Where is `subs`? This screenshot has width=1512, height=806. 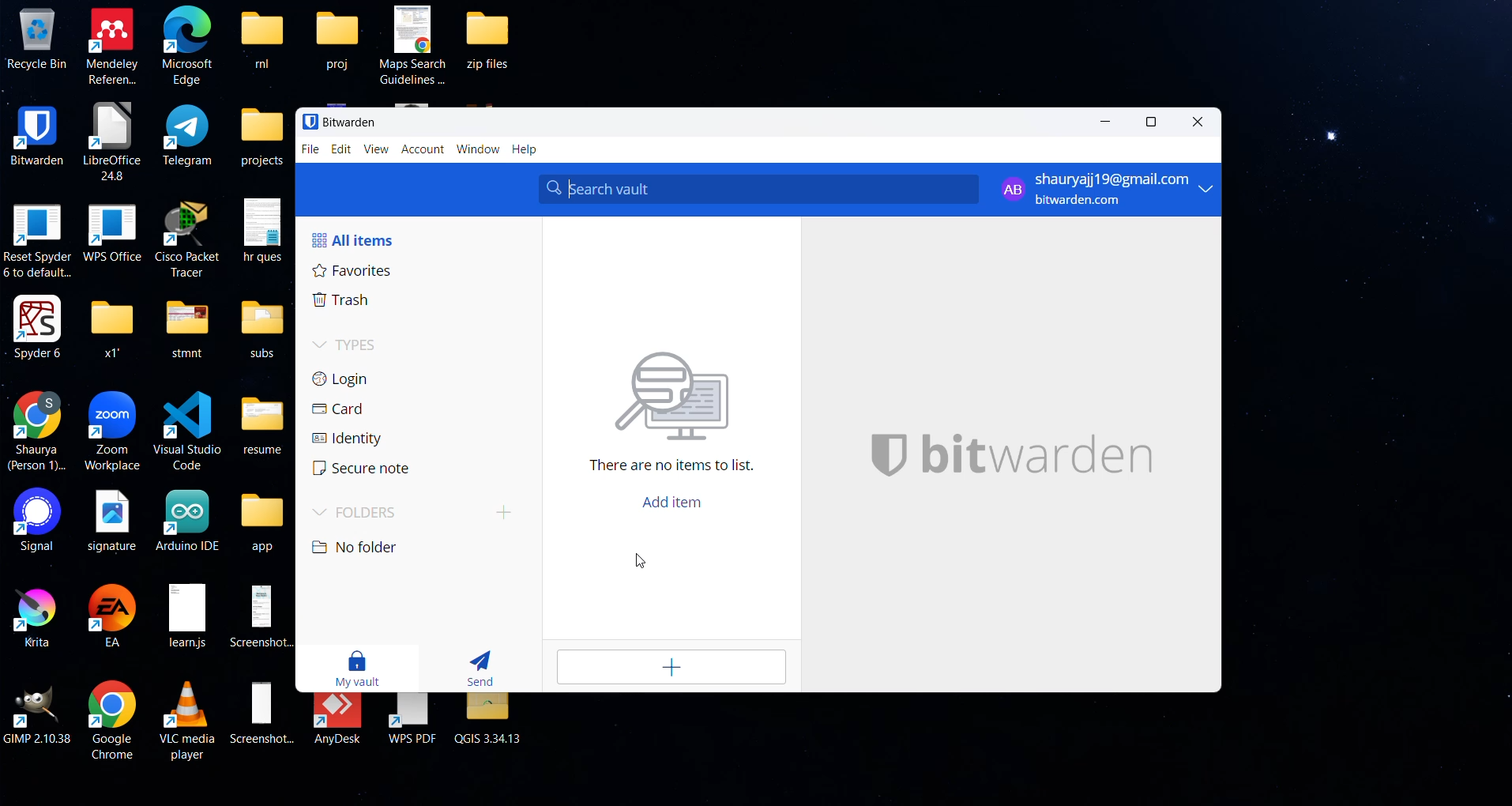
subs is located at coordinates (262, 329).